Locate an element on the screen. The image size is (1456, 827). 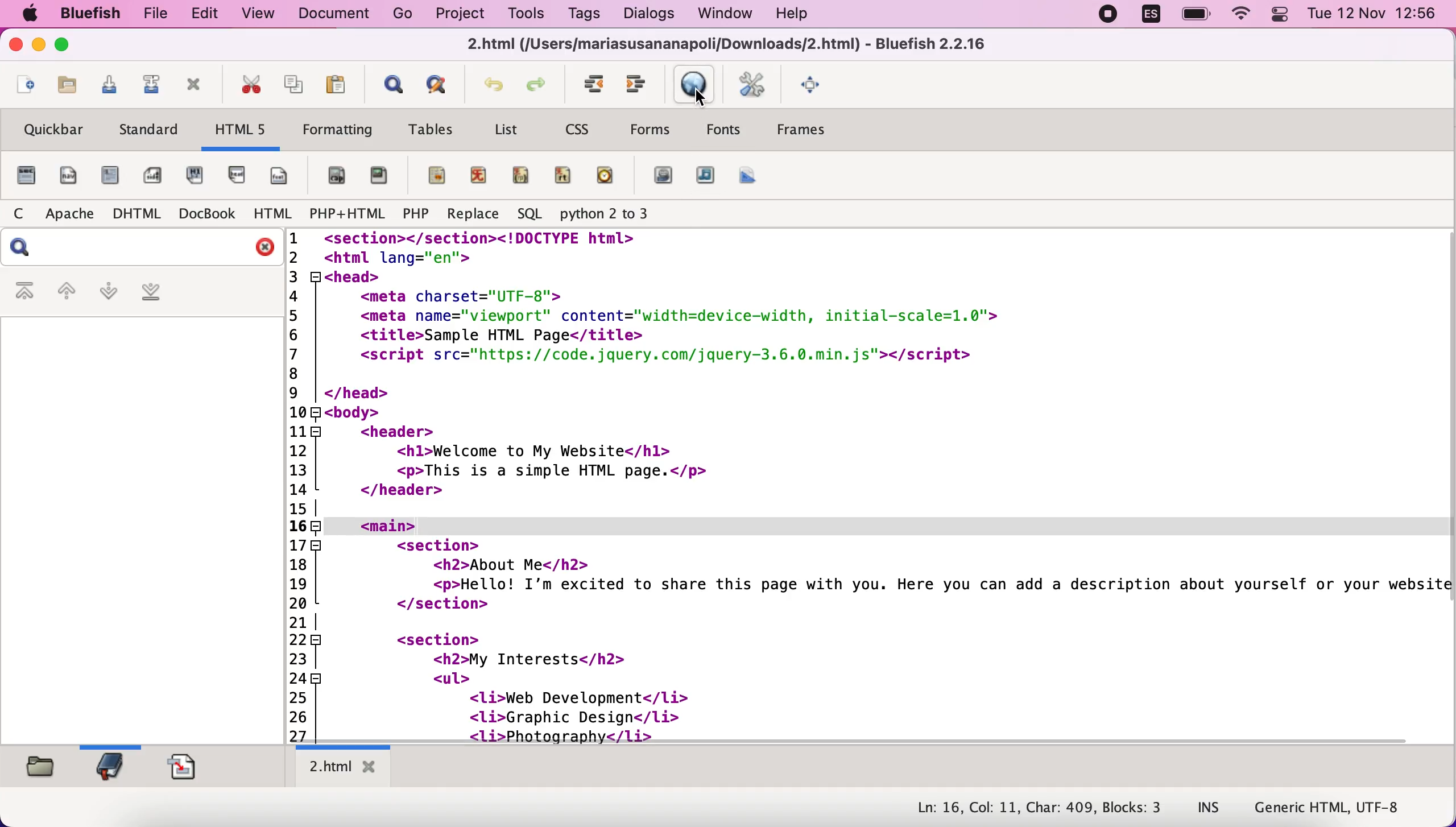
multithumbnail is located at coordinates (751, 178).